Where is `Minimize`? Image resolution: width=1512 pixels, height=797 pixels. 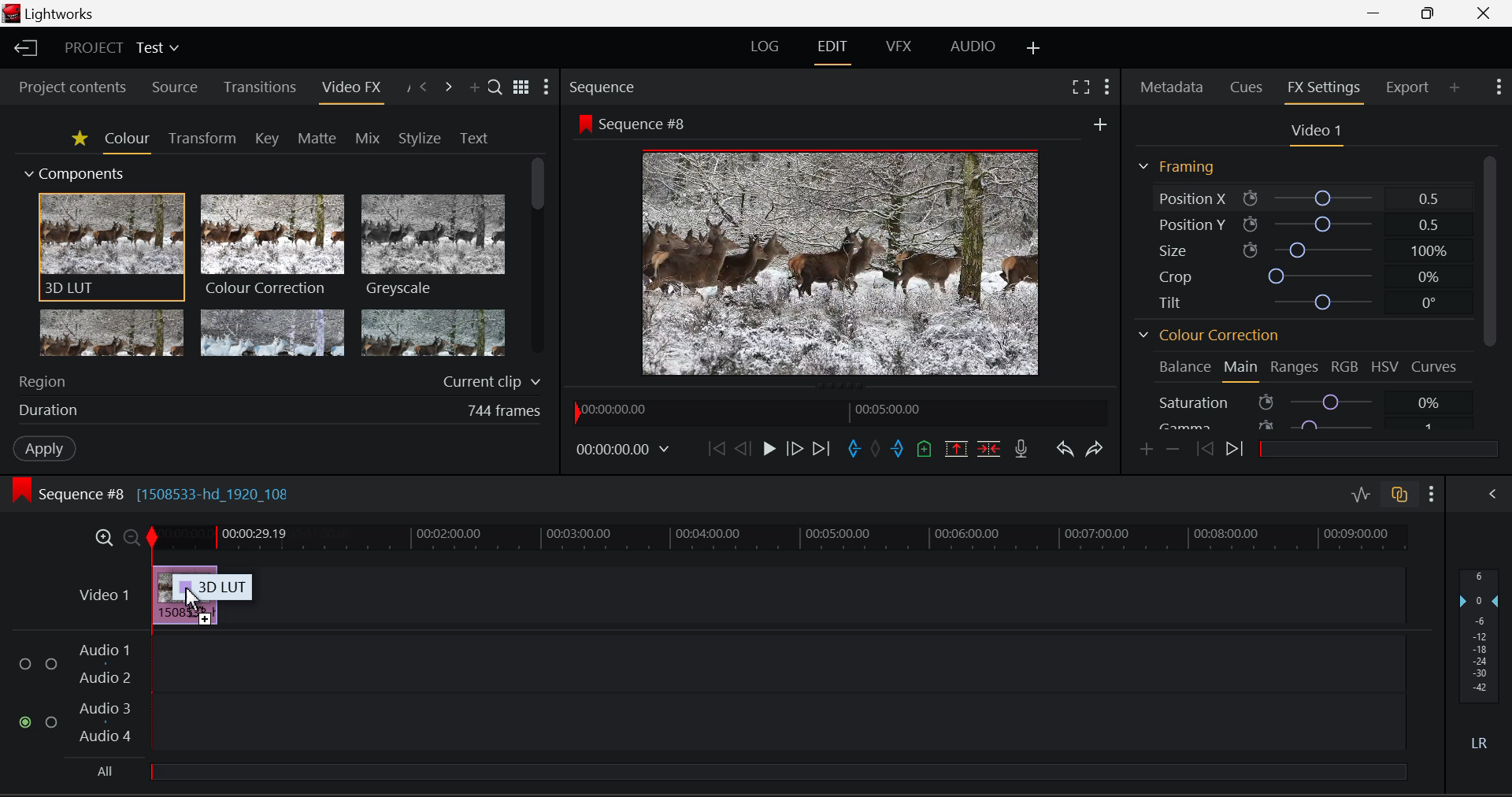
Minimize is located at coordinates (1430, 13).